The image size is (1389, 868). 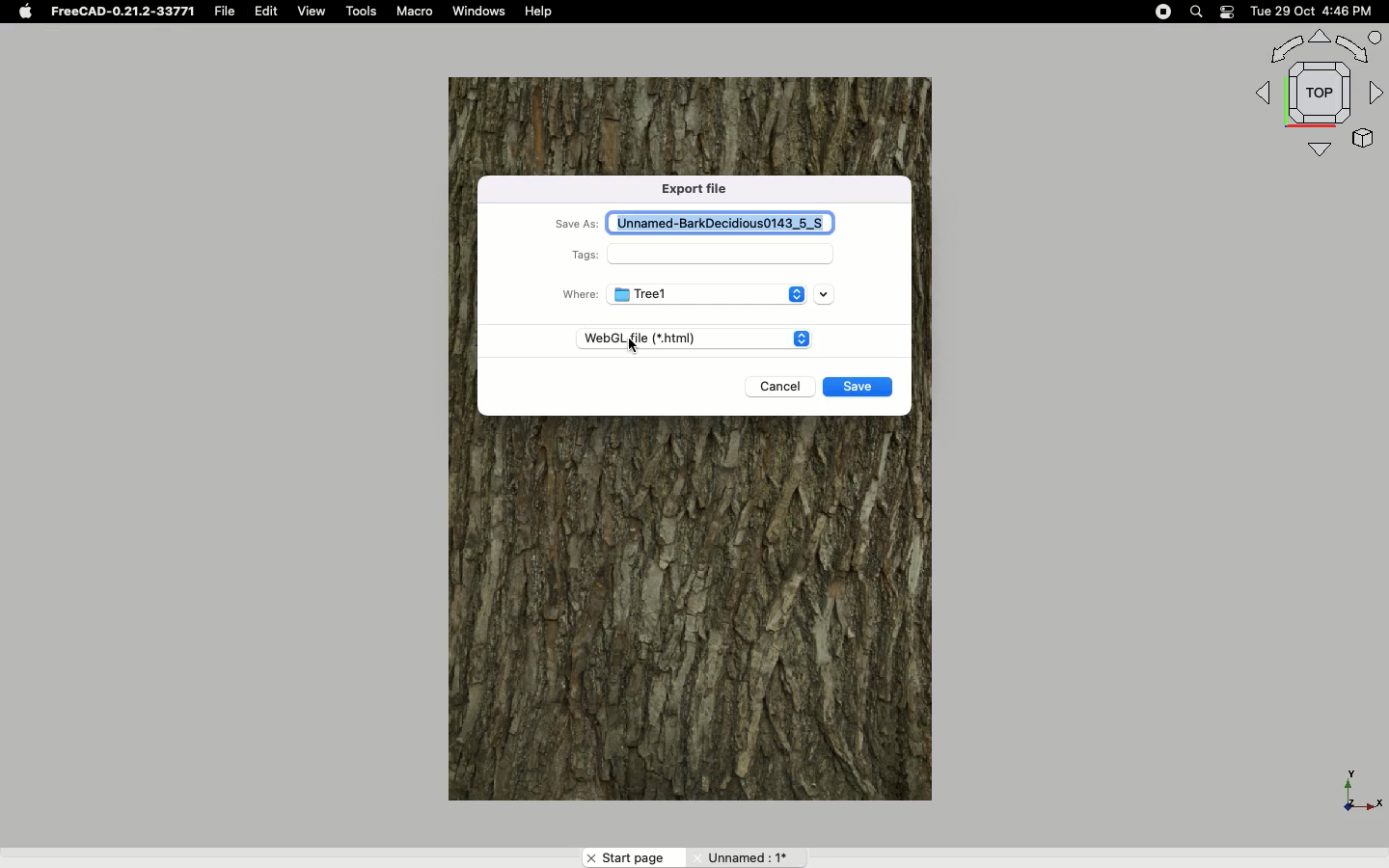 I want to click on Unnamed-BarkDecidious0143_5_S, so click(x=721, y=221).